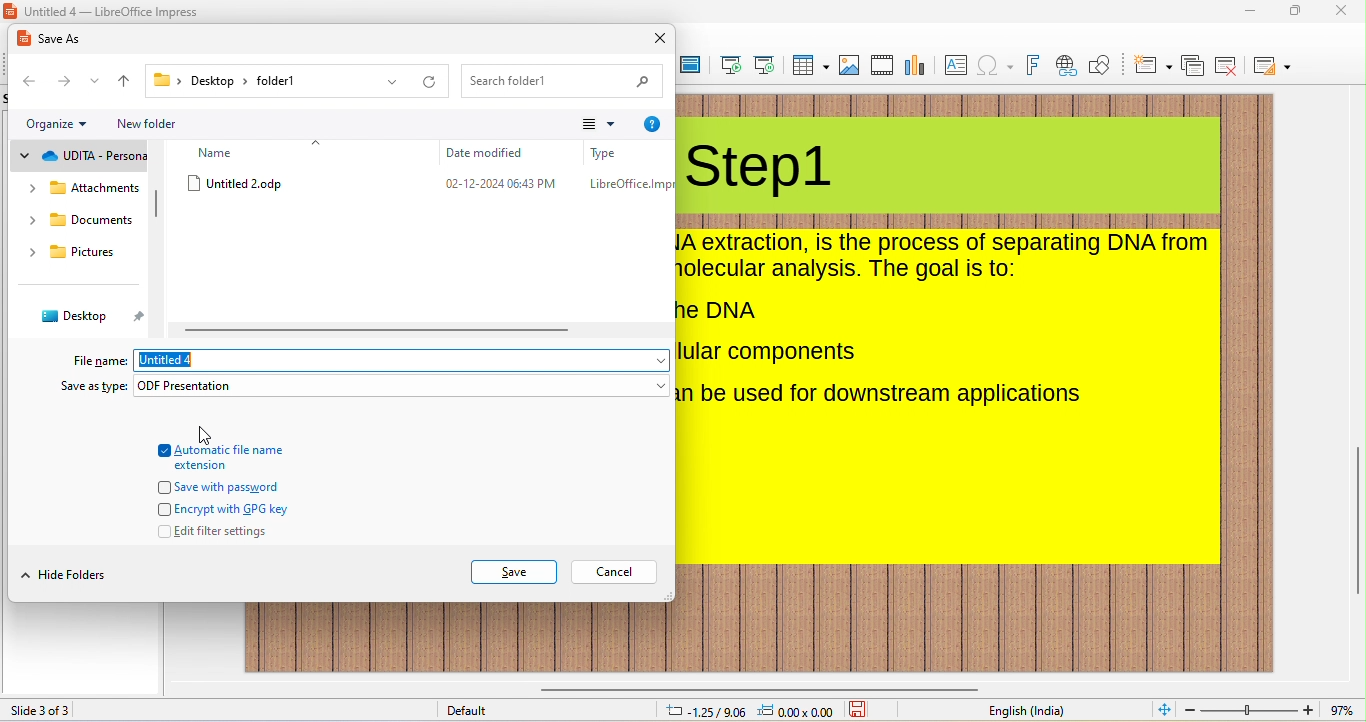 The width and height of the screenshot is (1366, 722). I want to click on organize, so click(47, 125).